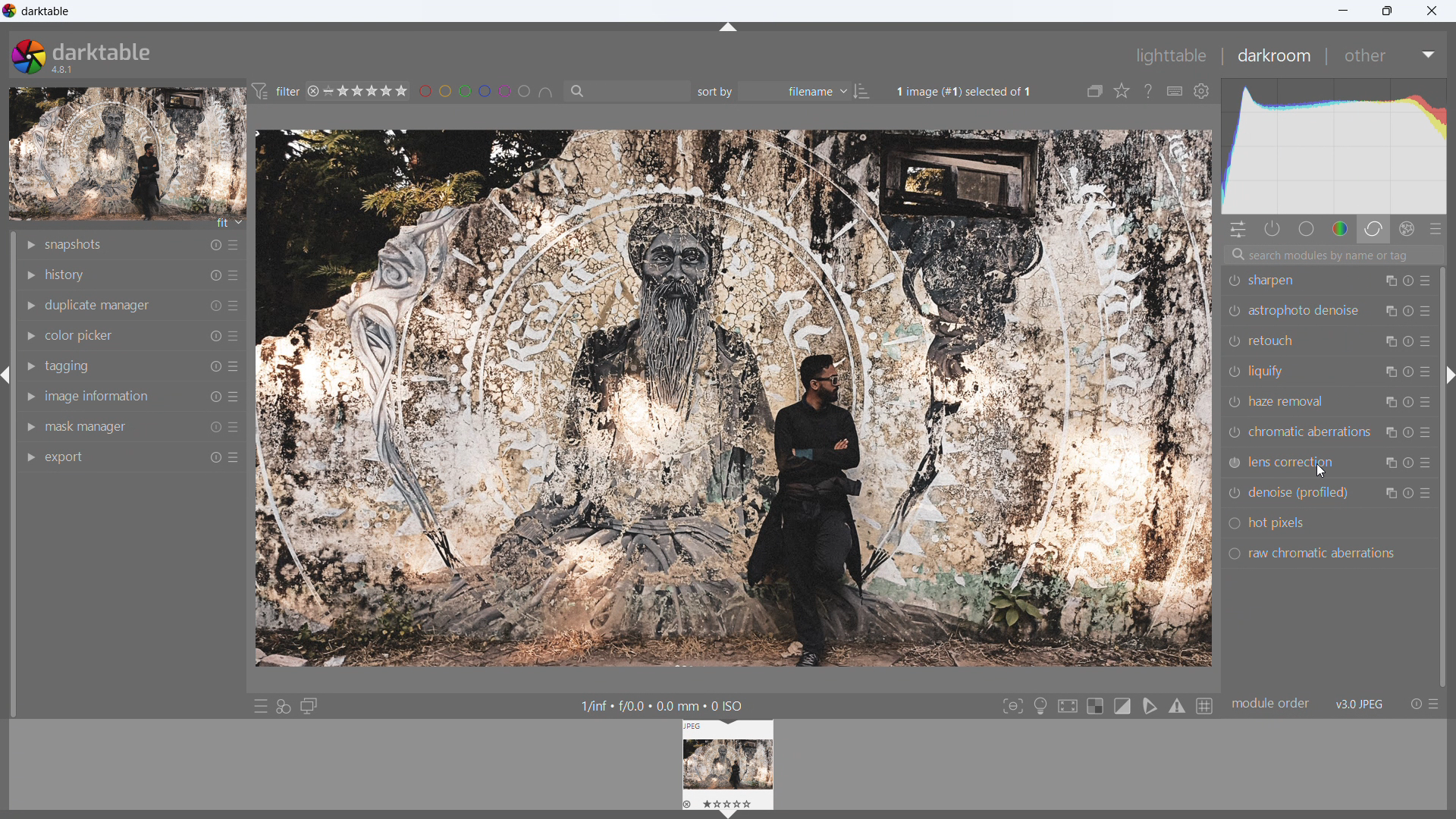 The width and height of the screenshot is (1456, 819). I want to click on presets, so click(1426, 281).